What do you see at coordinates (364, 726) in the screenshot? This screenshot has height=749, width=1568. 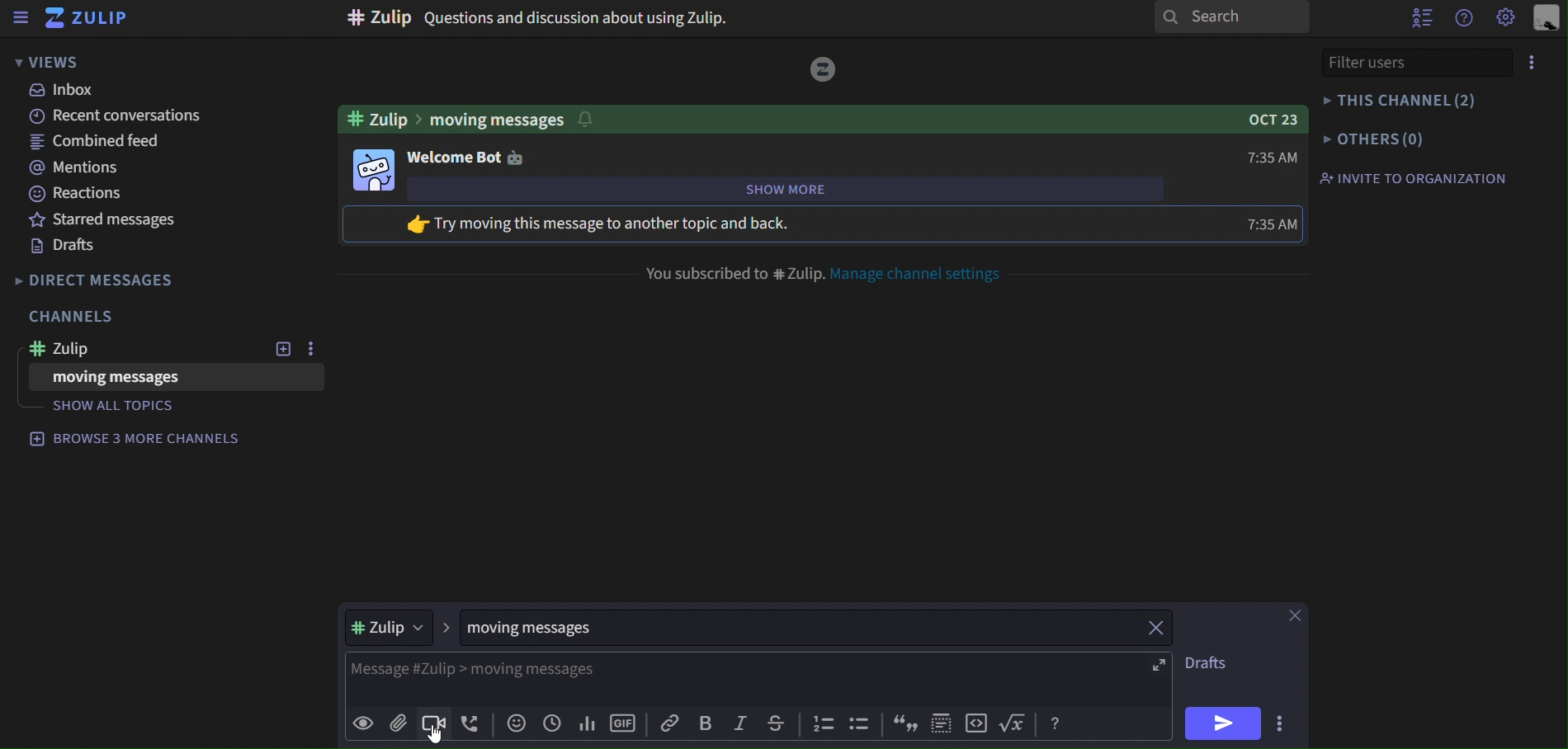 I see `preview` at bounding box center [364, 726].